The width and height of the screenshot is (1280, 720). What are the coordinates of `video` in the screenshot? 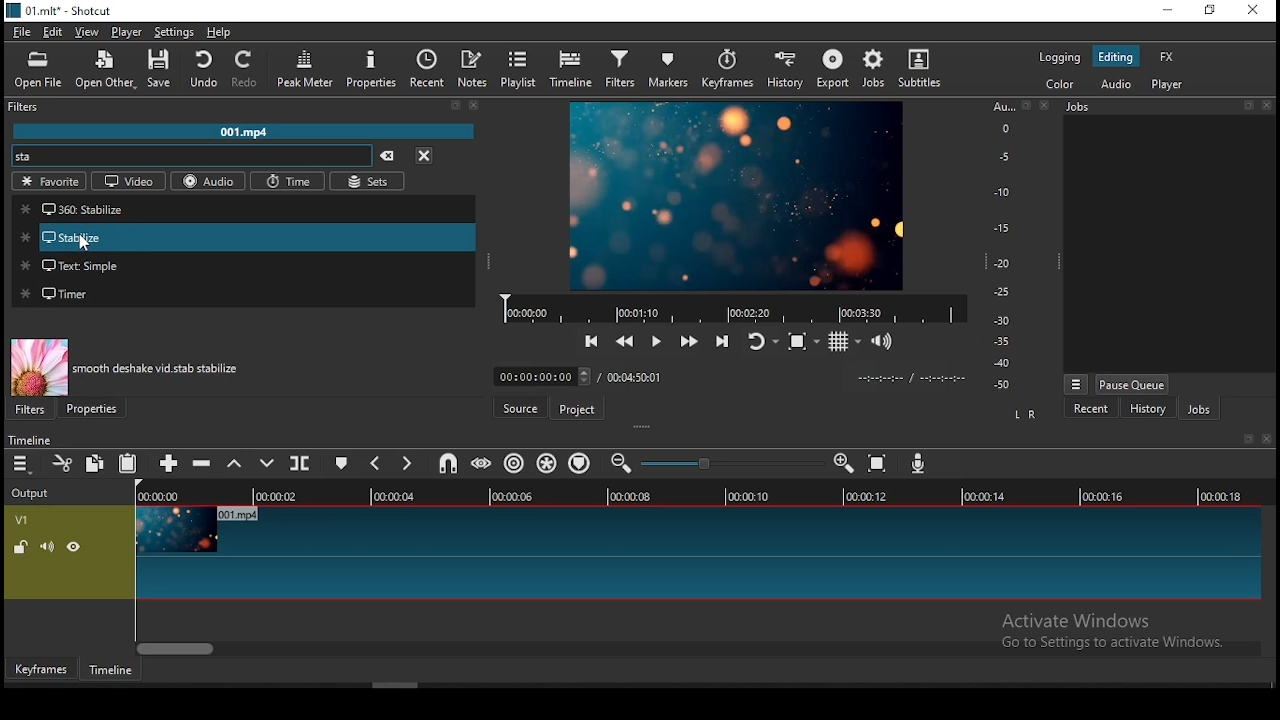 It's located at (129, 181).